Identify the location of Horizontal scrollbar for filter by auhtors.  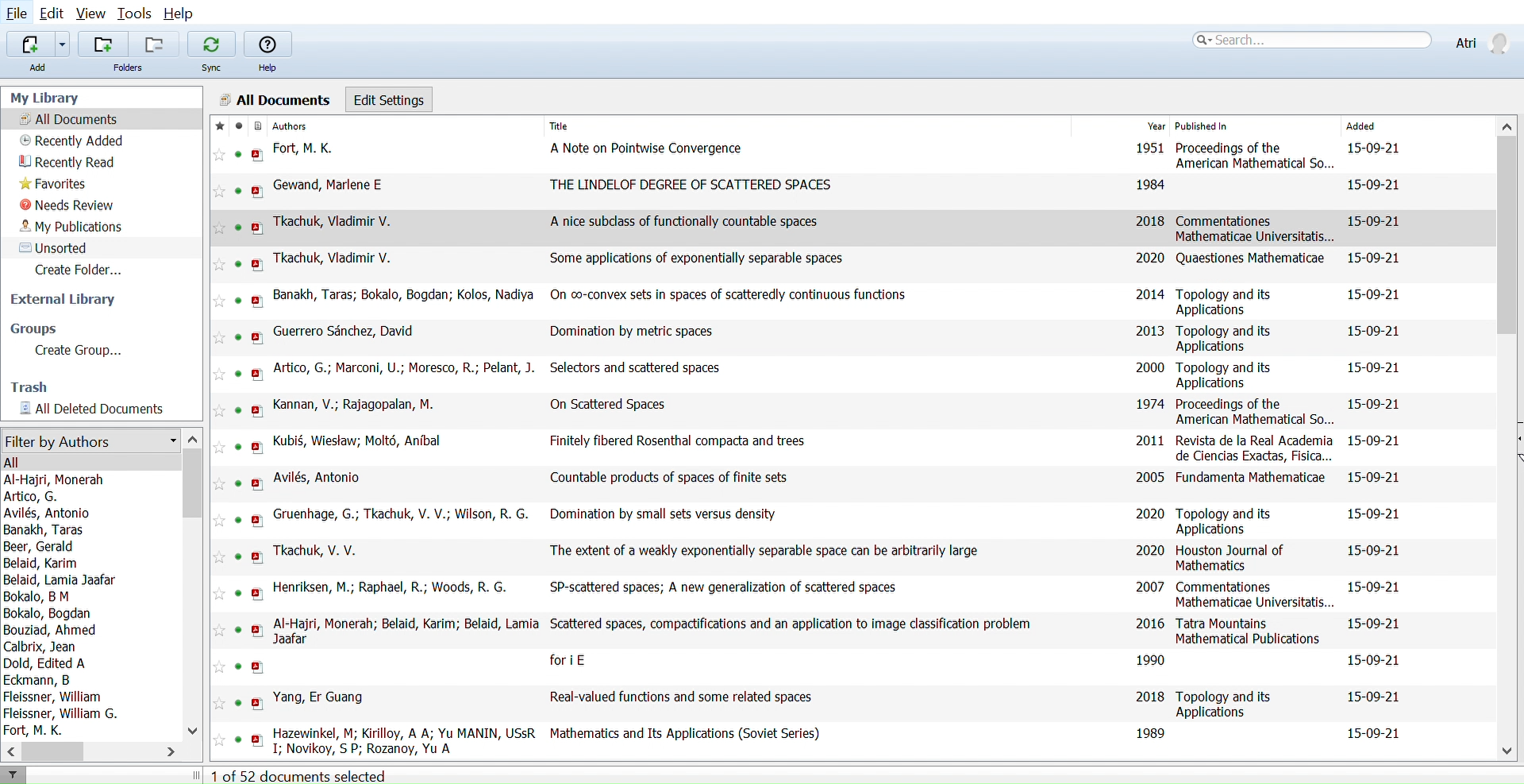
(53, 751).